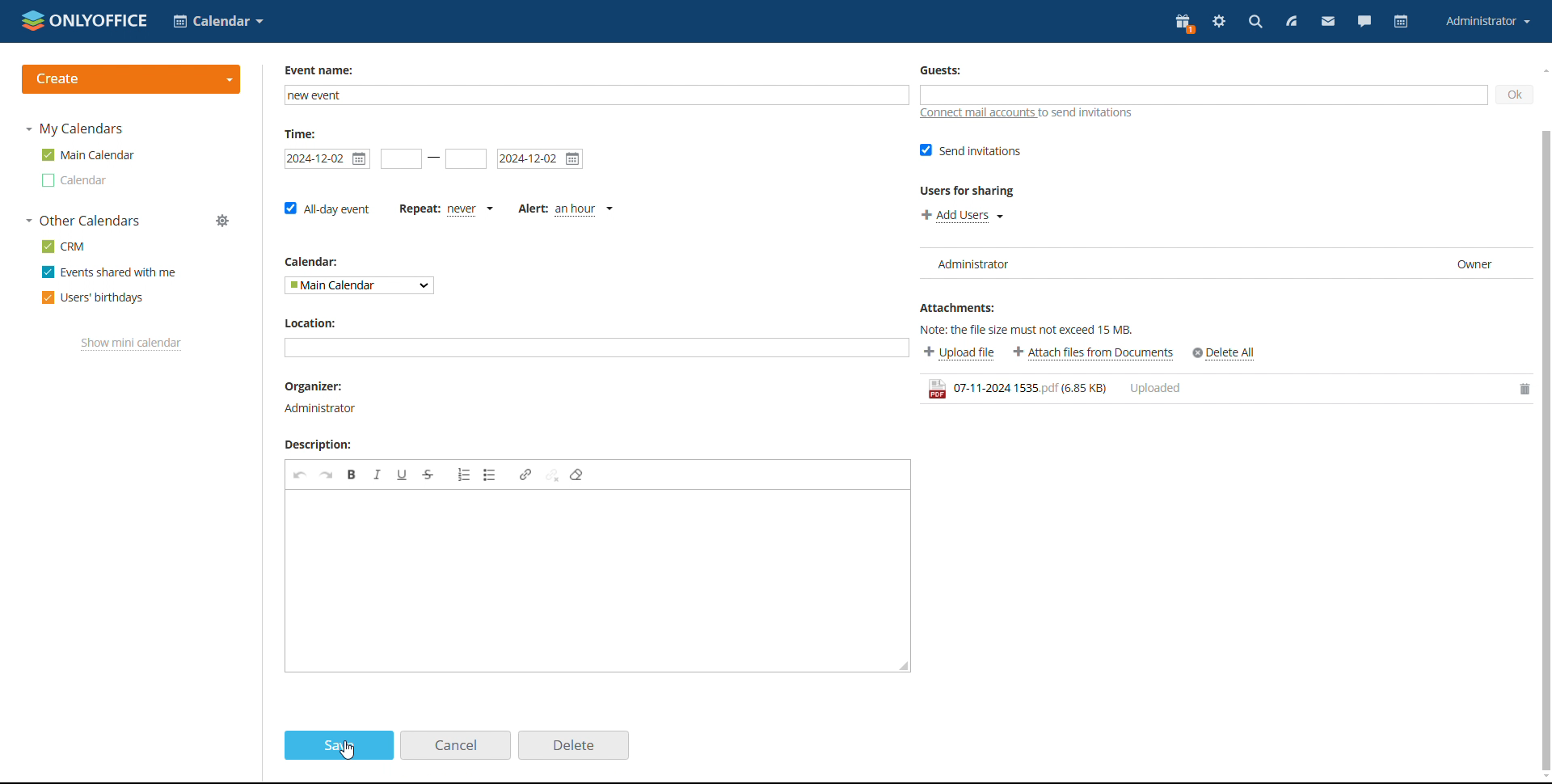 The image size is (1552, 784). What do you see at coordinates (299, 134) in the screenshot?
I see `time:` at bounding box center [299, 134].